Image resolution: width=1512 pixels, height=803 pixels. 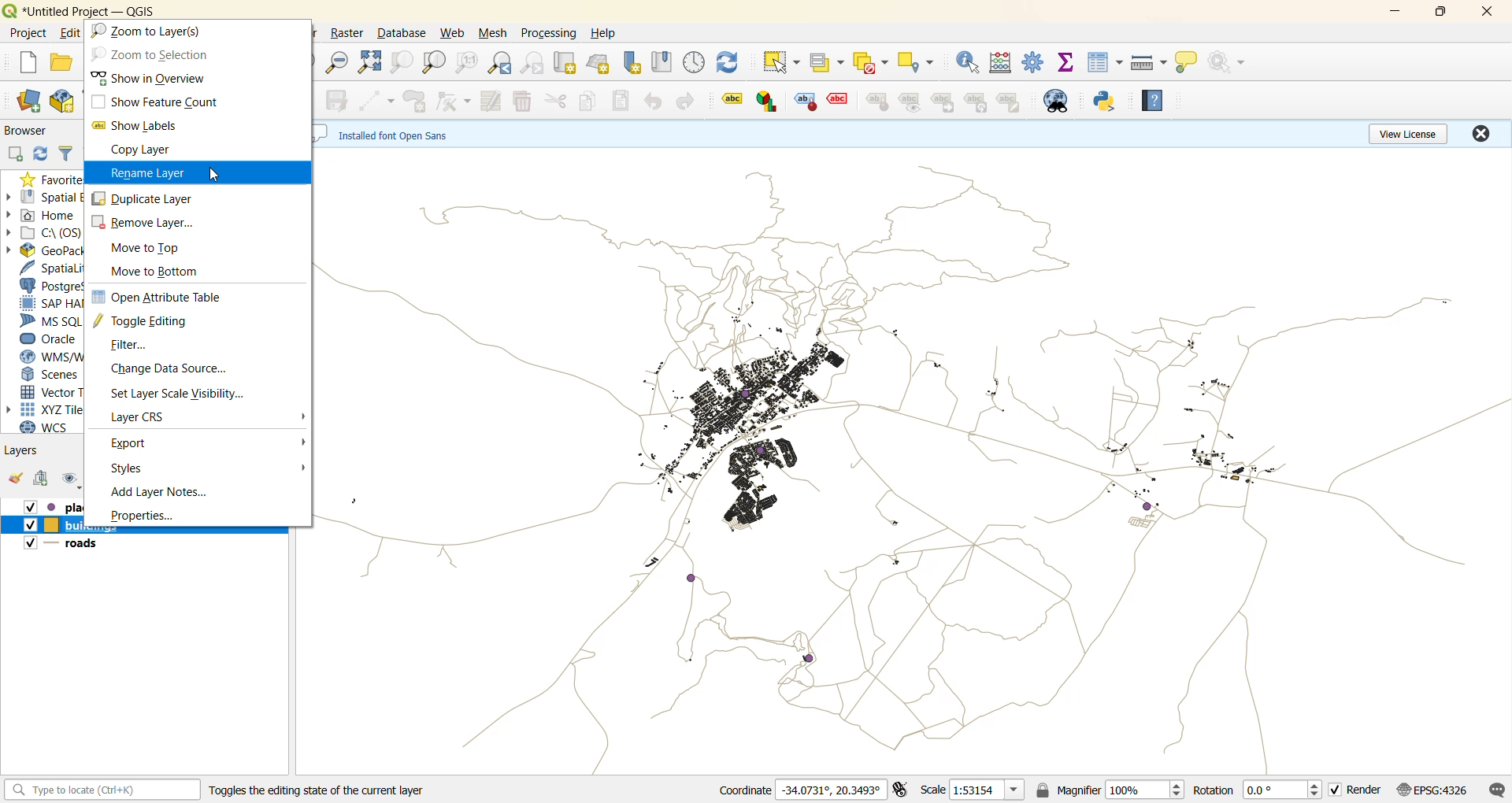 What do you see at coordinates (827, 64) in the screenshot?
I see `select value` at bounding box center [827, 64].